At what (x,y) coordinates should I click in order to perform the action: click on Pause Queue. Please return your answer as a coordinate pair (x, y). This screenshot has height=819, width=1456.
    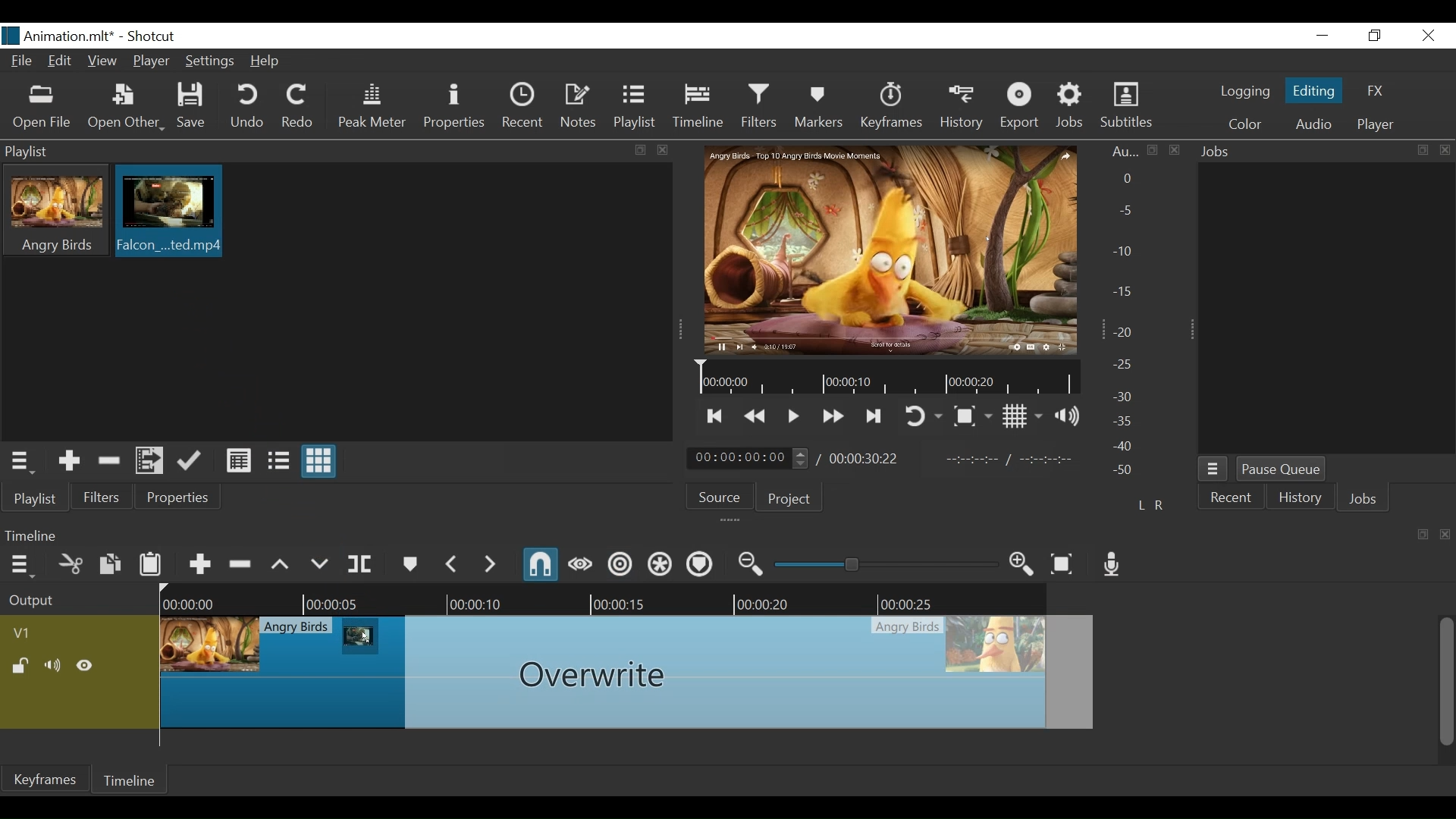
    Looking at the image, I should click on (1281, 470).